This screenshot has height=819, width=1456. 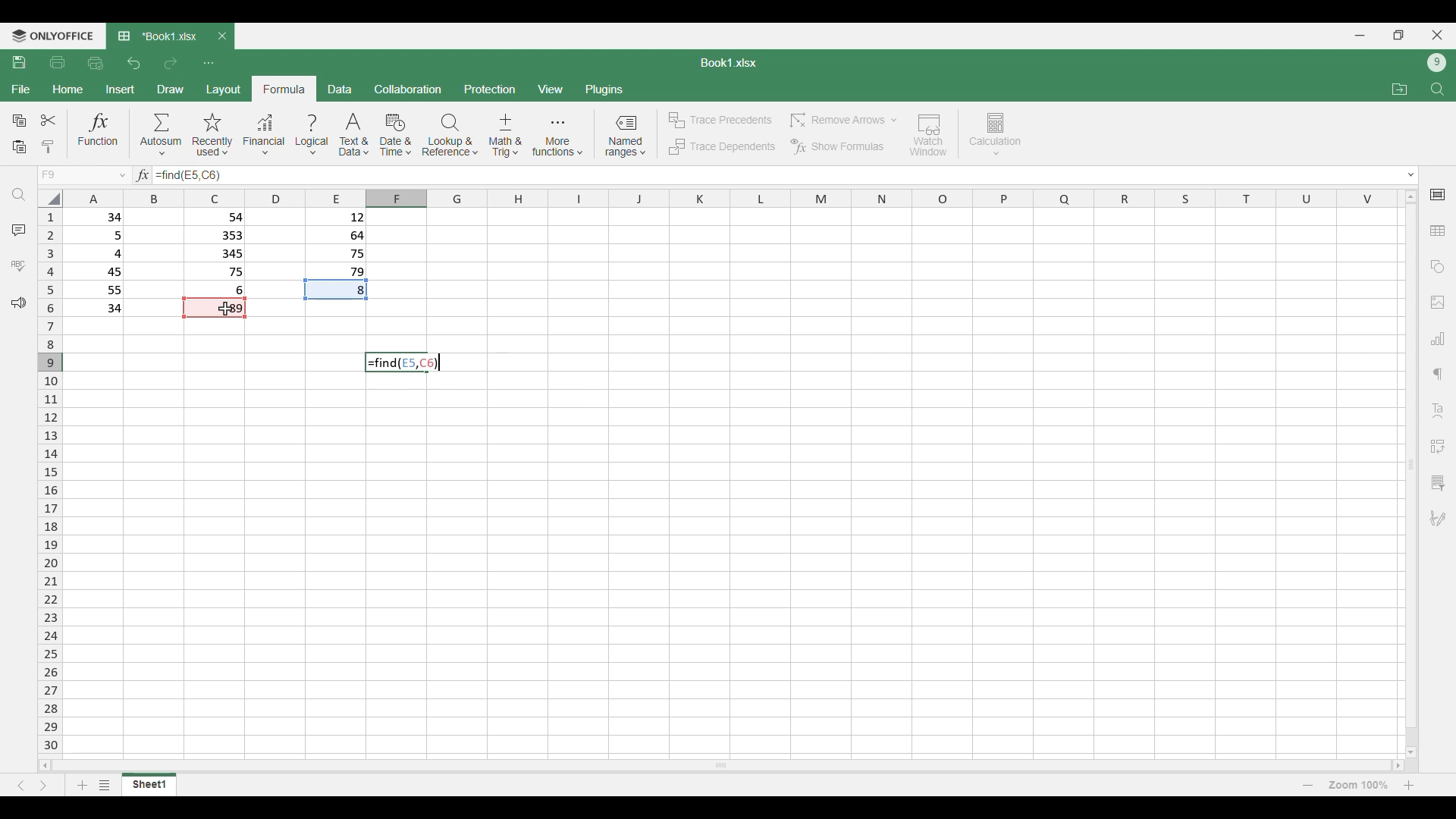 What do you see at coordinates (836, 147) in the screenshot?
I see `Show formulas` at bounding box center [836, 147].